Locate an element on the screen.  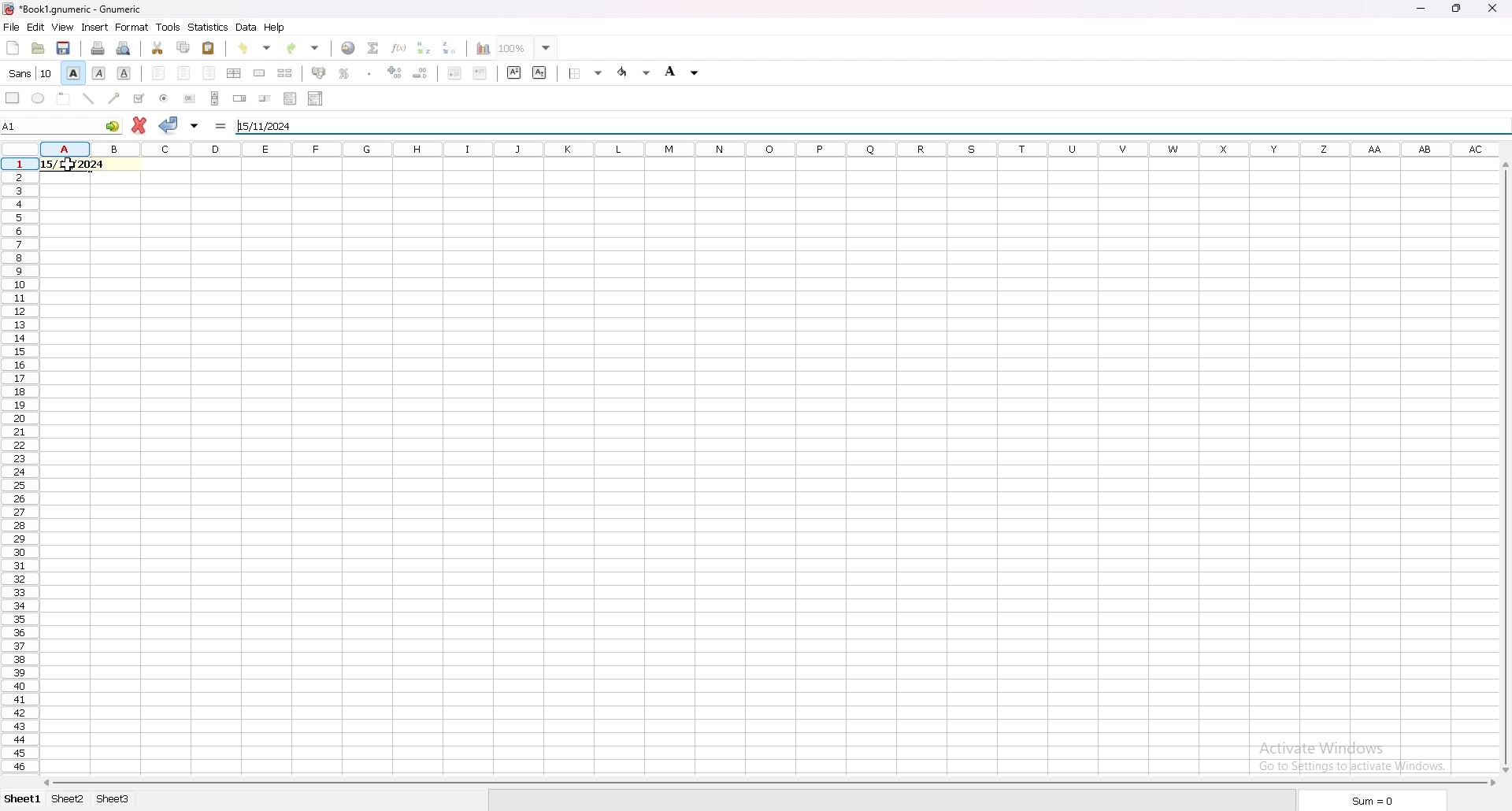
functions is located at coordinates (399, 48).